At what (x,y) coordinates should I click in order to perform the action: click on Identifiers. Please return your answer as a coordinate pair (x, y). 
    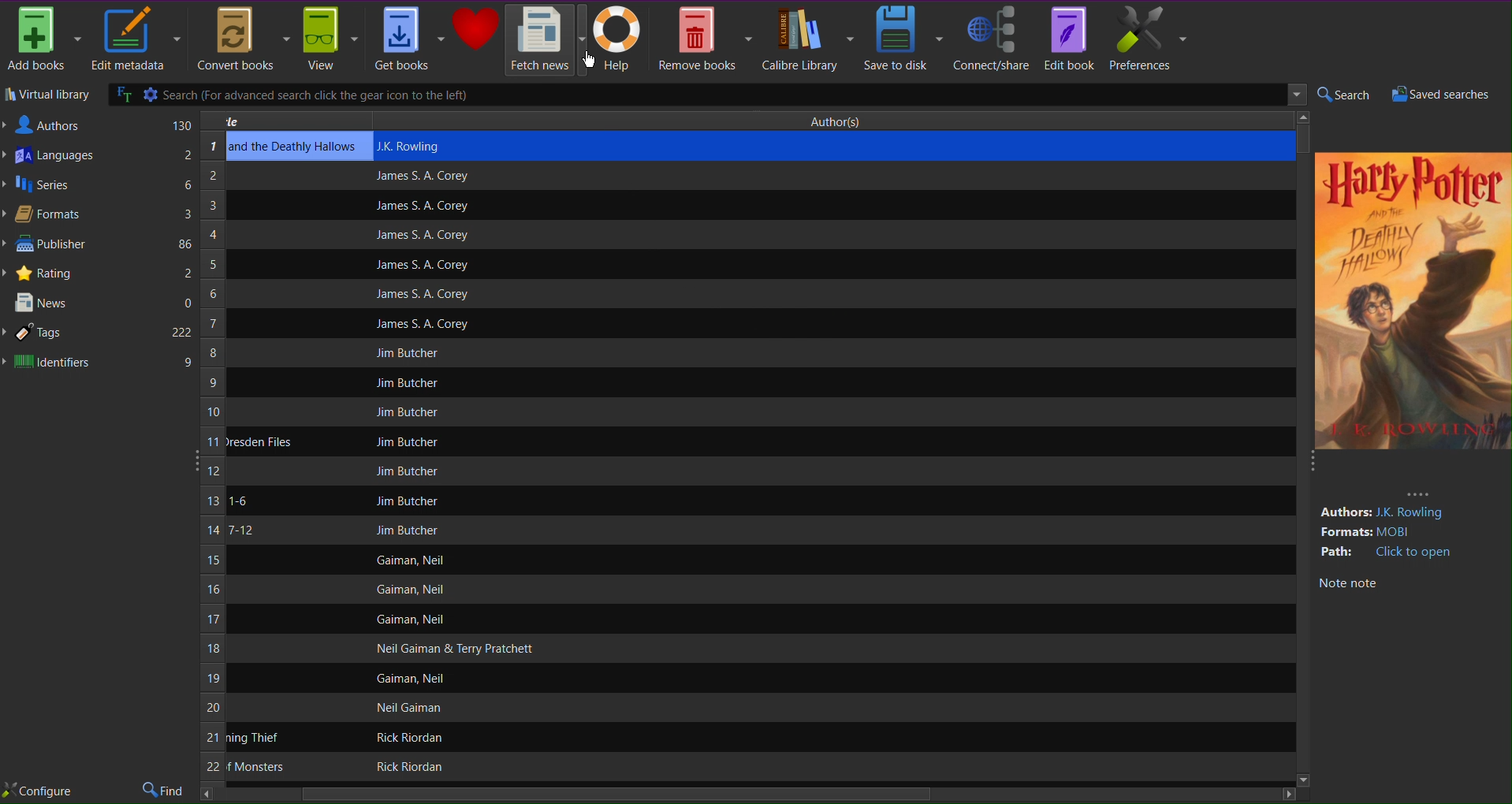
    Looking at the image, I should click on (99, 363).